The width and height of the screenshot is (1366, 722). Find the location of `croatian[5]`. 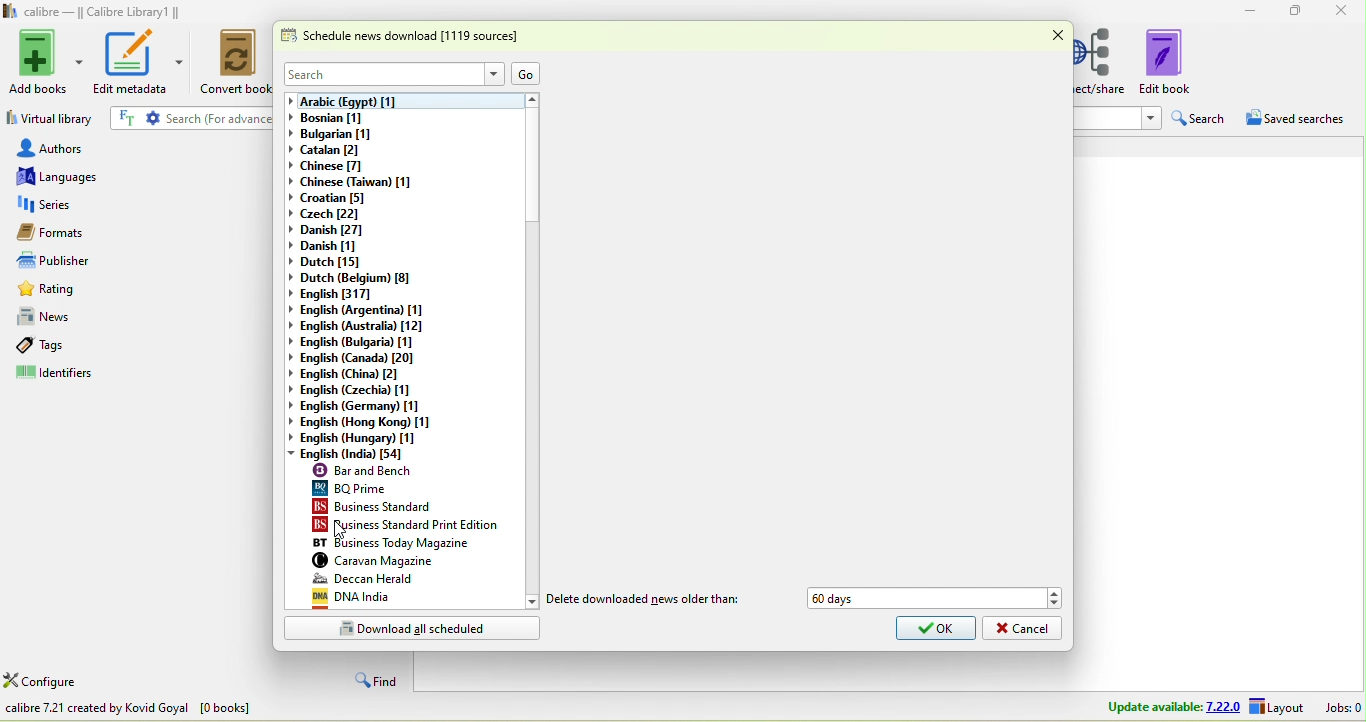

croatian[5] is located at coordinates (336, 198).